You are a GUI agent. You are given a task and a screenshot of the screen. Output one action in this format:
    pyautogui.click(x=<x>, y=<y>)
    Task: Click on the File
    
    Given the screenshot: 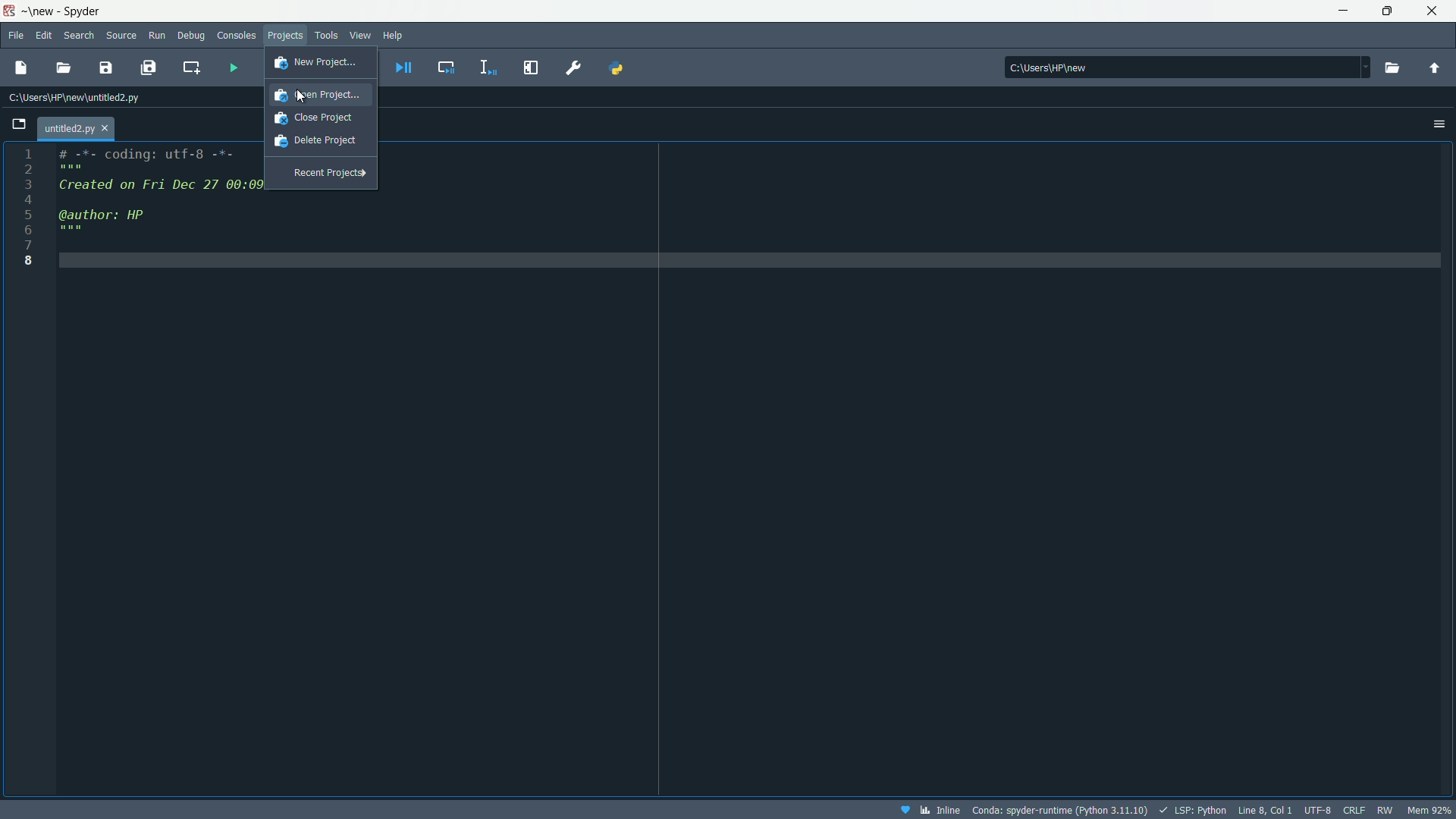 What is the action you would take?
    pyautogui.click(x=17, y=34)
    